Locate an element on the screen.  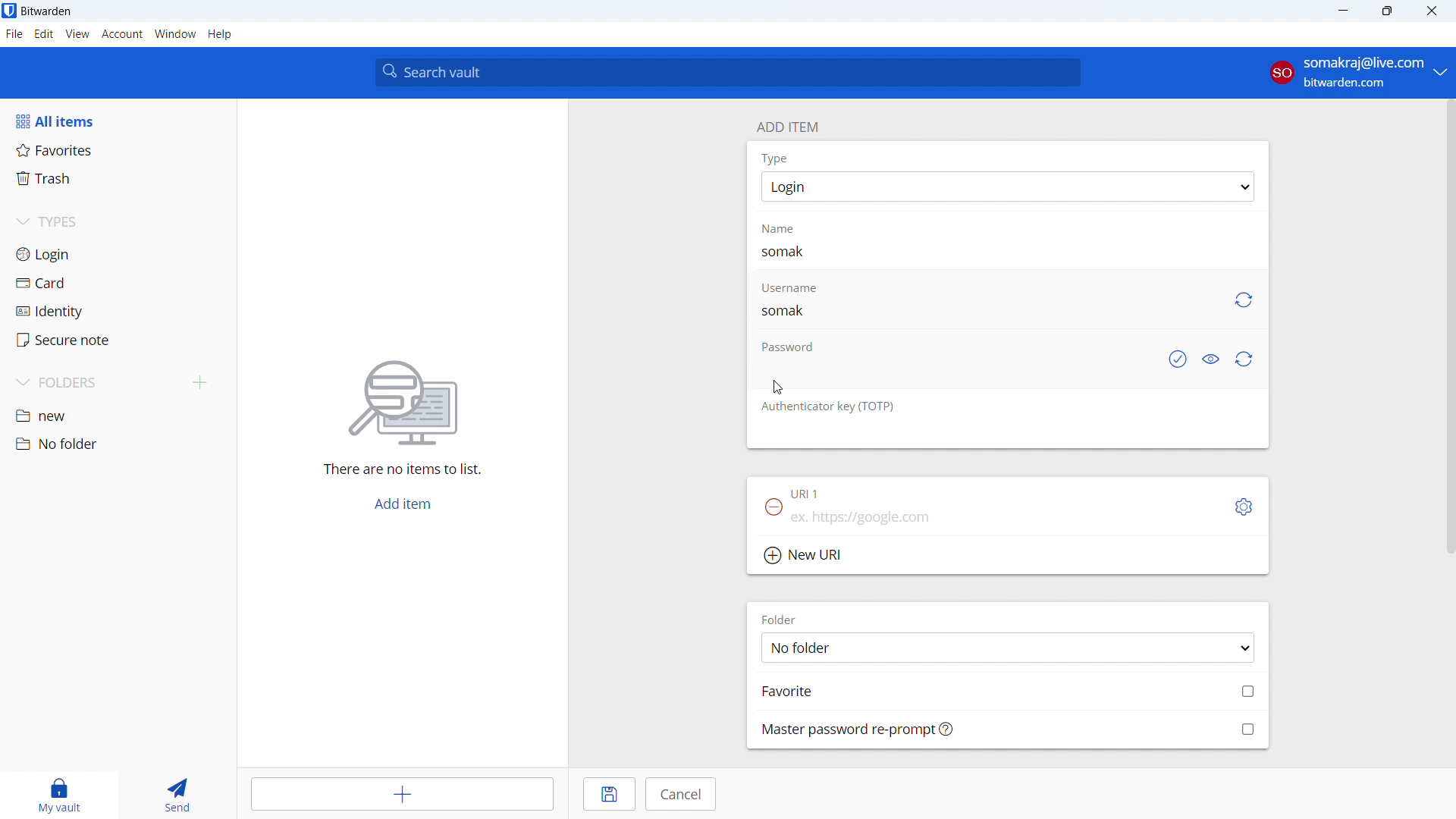
add url is located at coordinates (1007, 521).